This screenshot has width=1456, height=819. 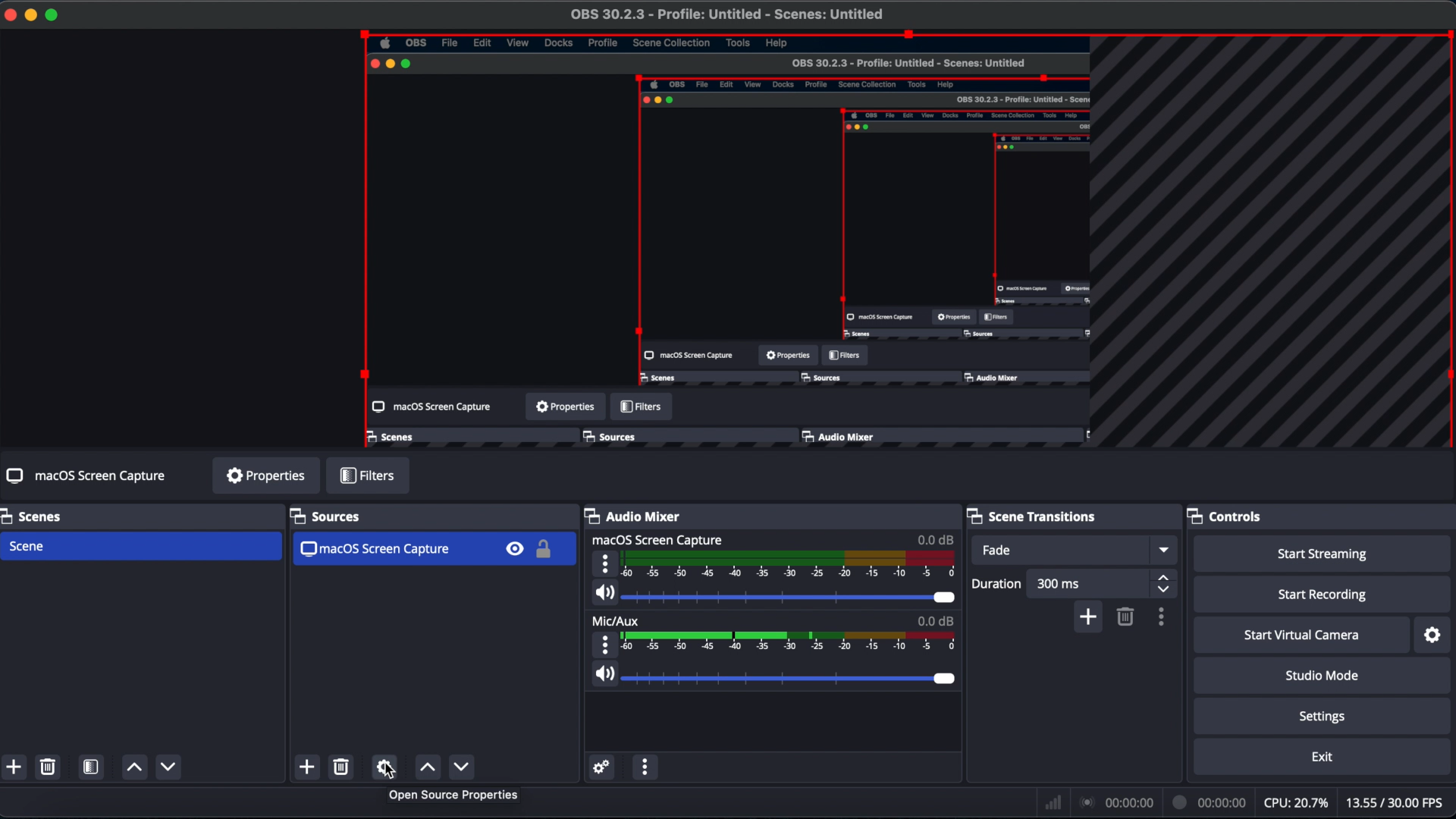 What do you see at coordinates (1303, 635) in the screenshot?
I see `start virtual camera` at bounding box center [1303, 635].